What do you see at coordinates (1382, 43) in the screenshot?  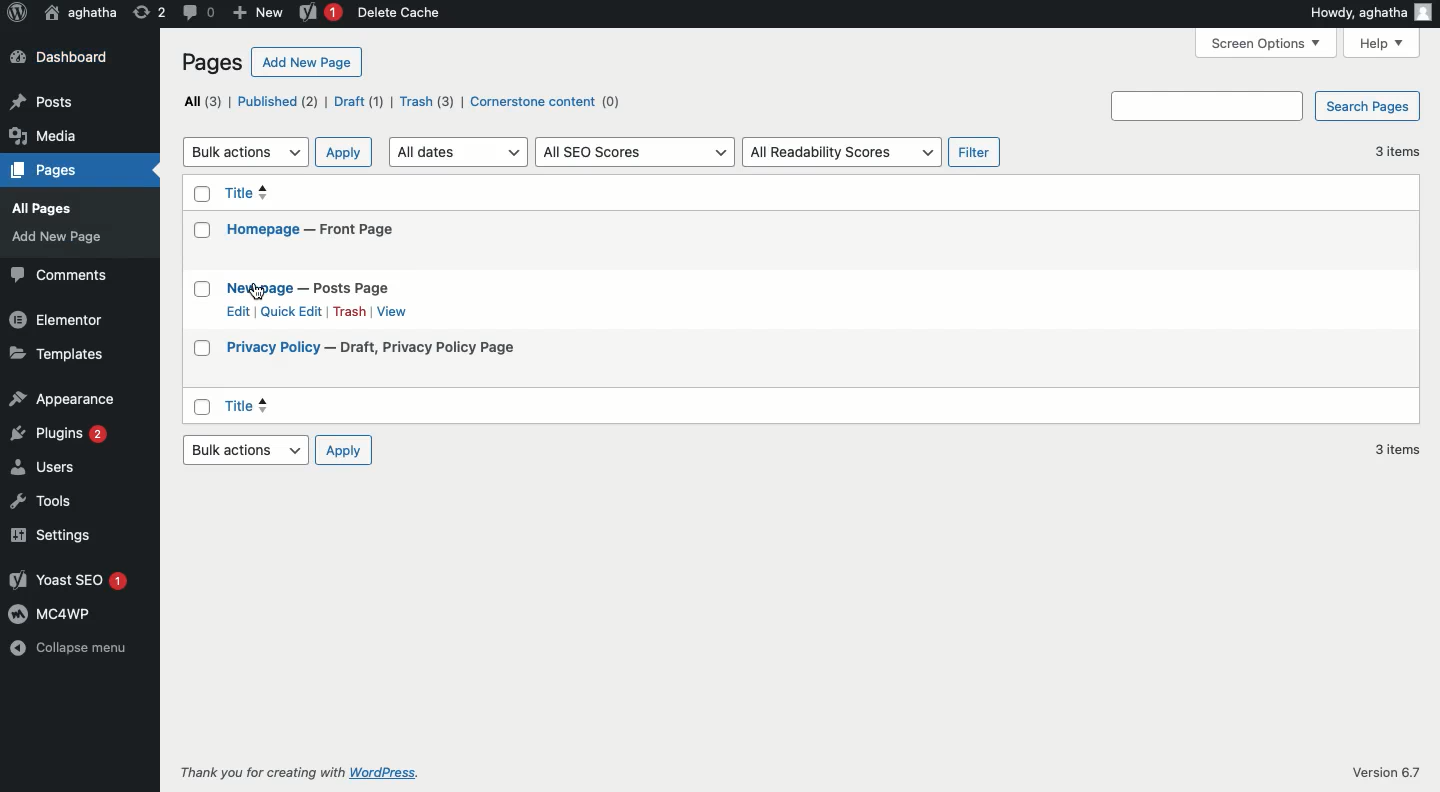 I see `Help` at bounding box center [1382, 43].